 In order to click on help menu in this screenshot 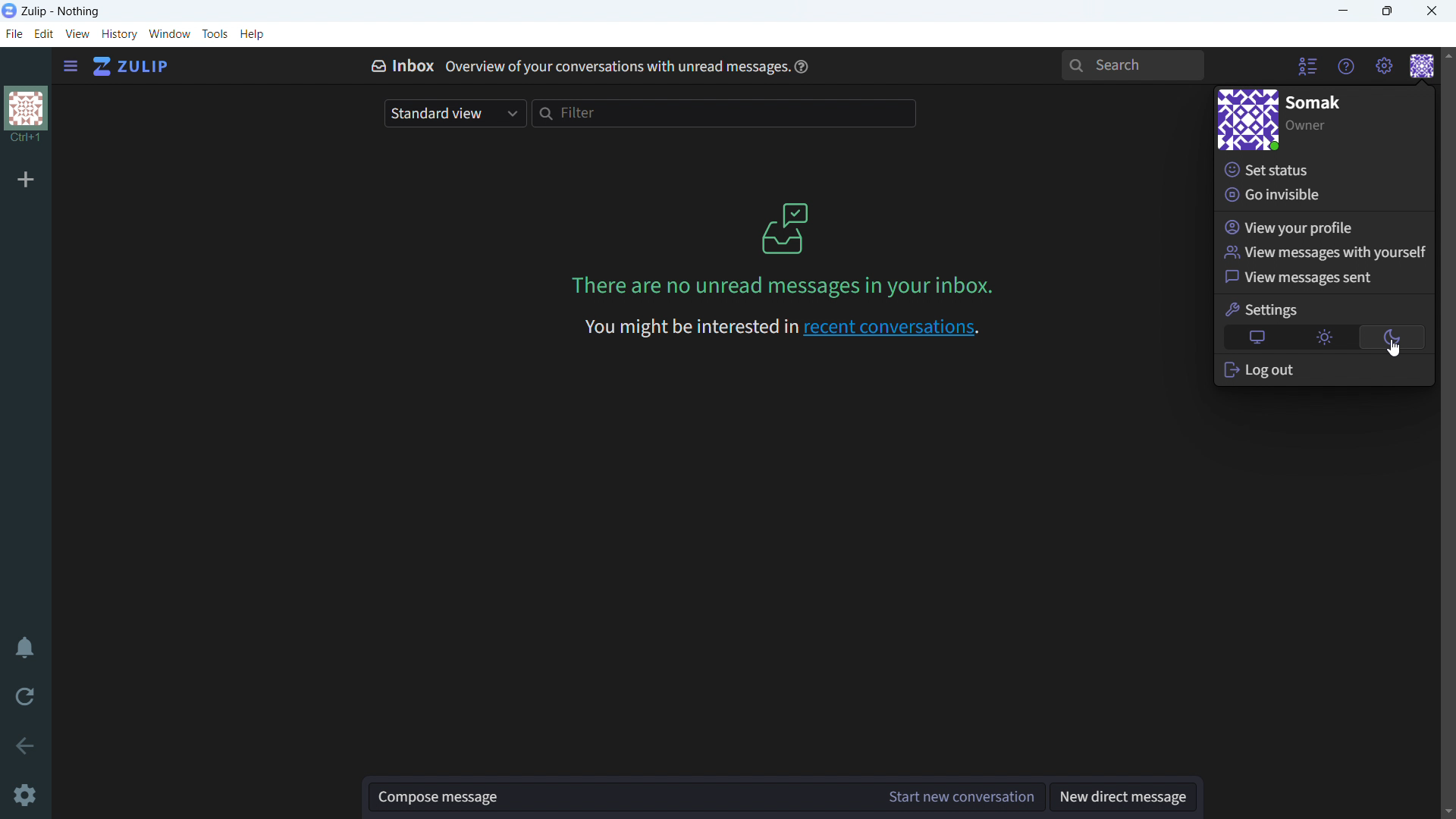, I will do `click(1347, 65)`.